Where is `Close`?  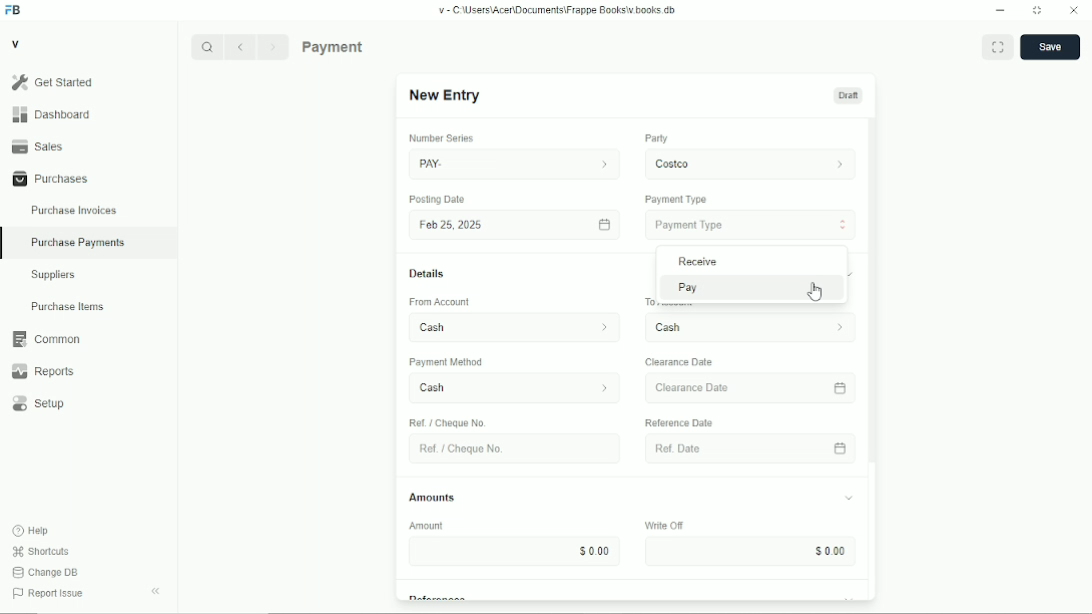 Close is located at coordinates (1074, 10).